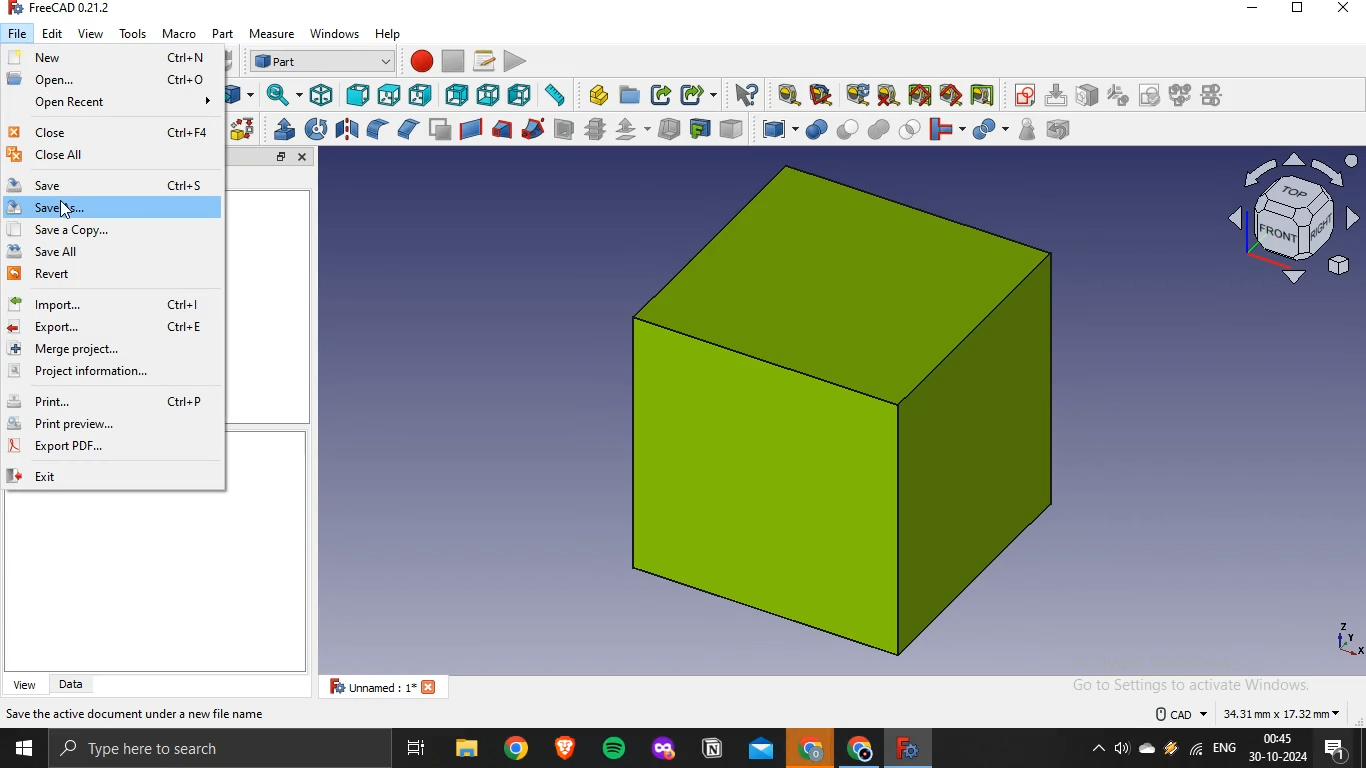 The width and height of the screenshot is (1366, 768). I want to click on loft, so click(502, 129).